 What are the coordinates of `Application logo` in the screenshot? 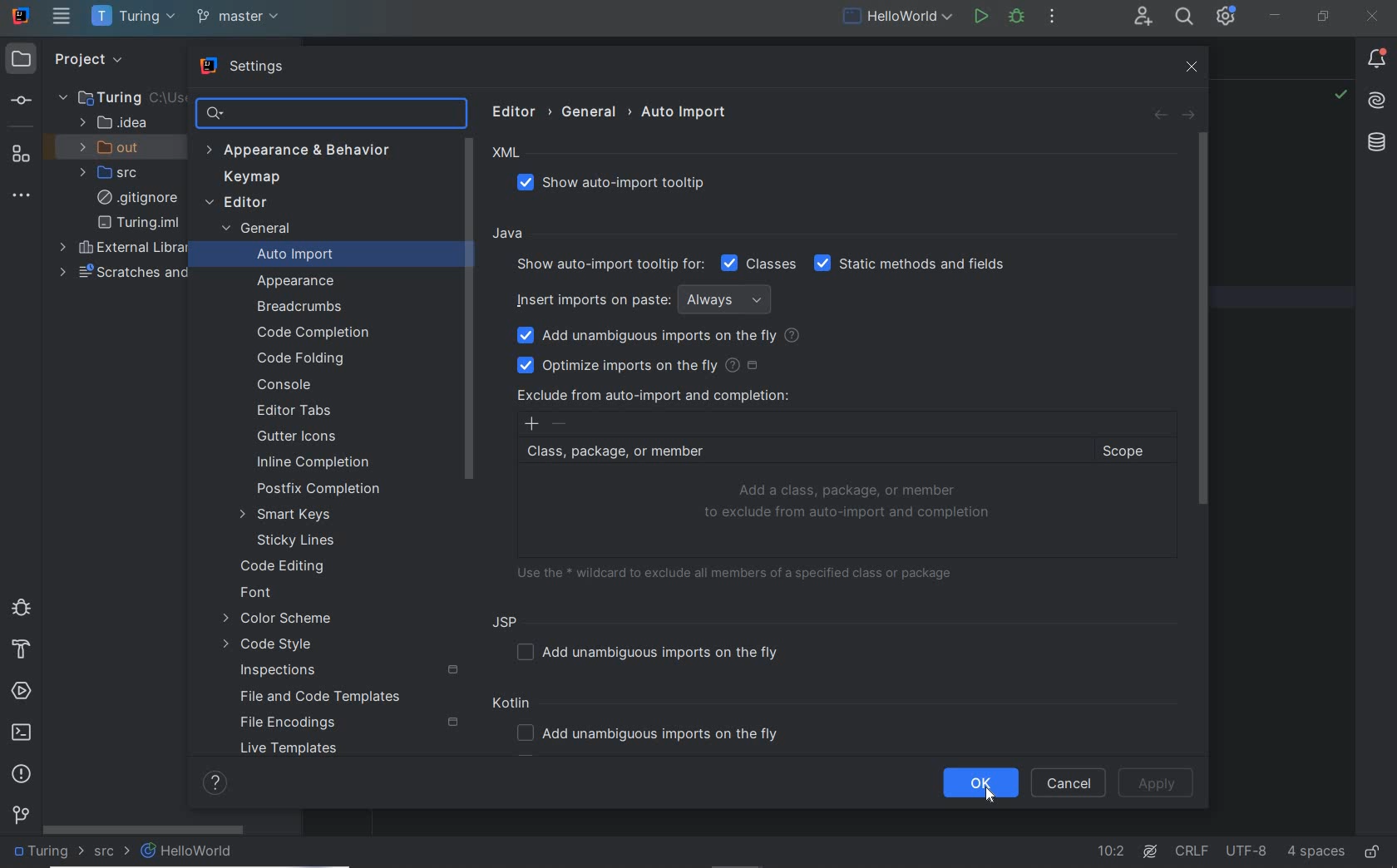 It's located at (22, 15).